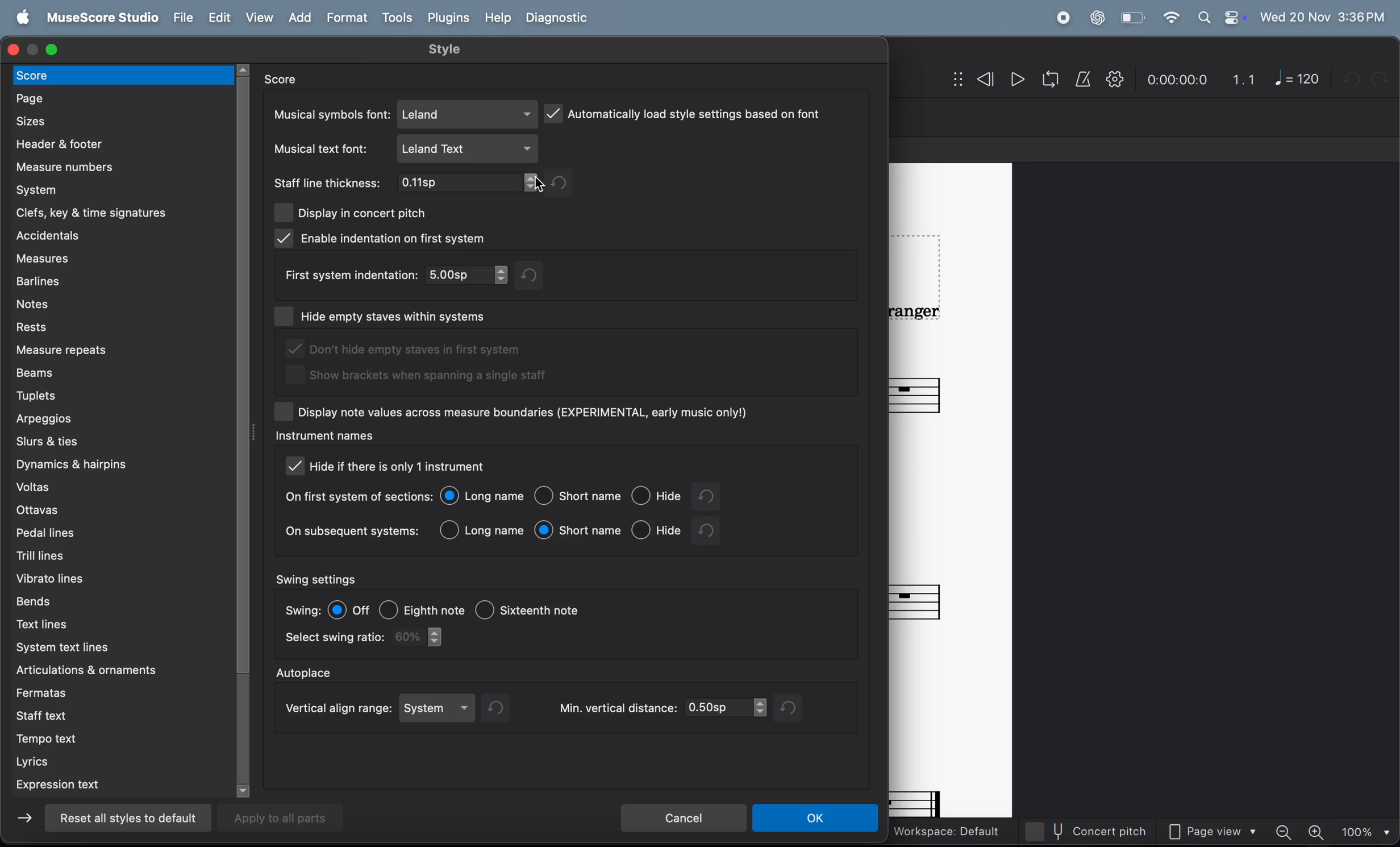  Describe the element at coordinates (1298, 78) in the screenshot. I see `note 120` at that location.